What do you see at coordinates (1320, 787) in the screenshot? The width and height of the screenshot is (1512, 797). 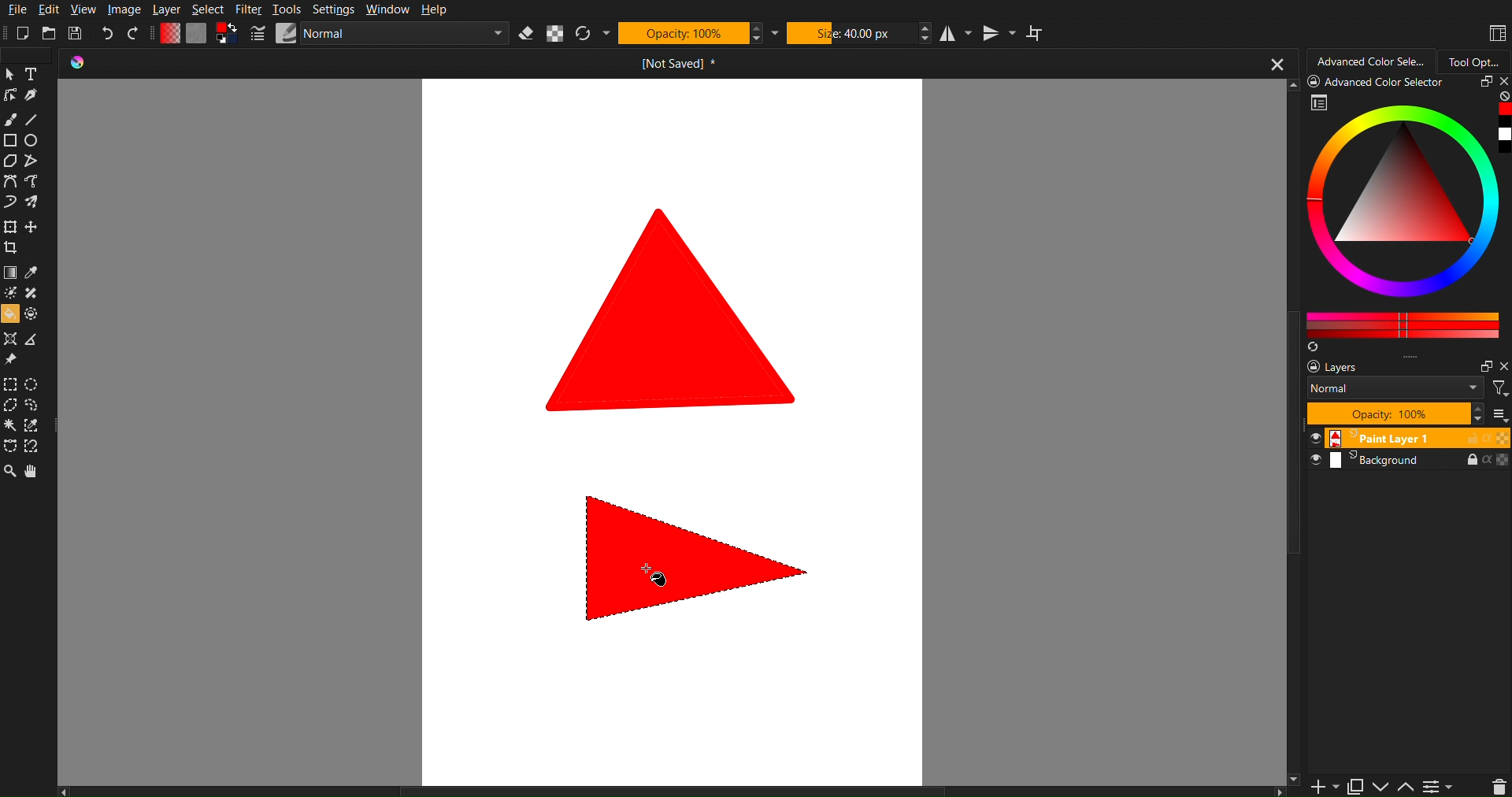 I see `Add` at bounding box center [1320, 787].